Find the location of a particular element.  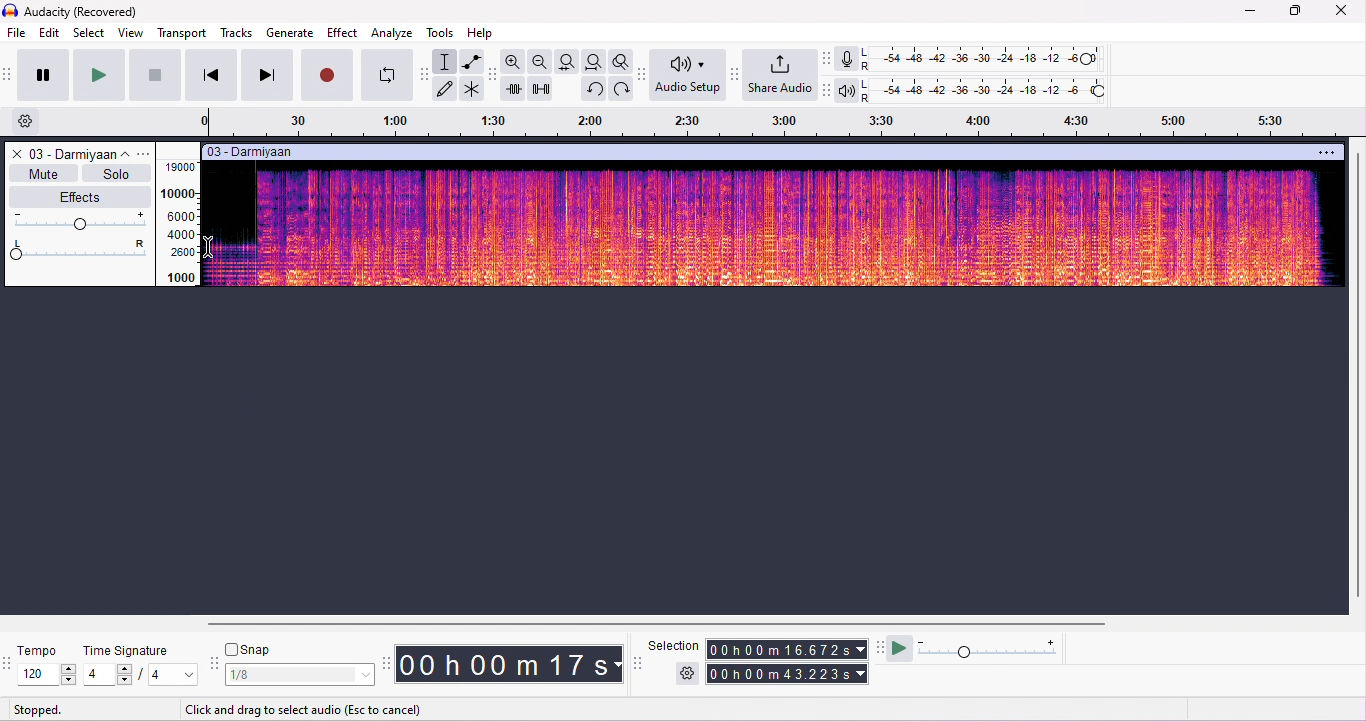

undo is located at coordinates (593, 88).